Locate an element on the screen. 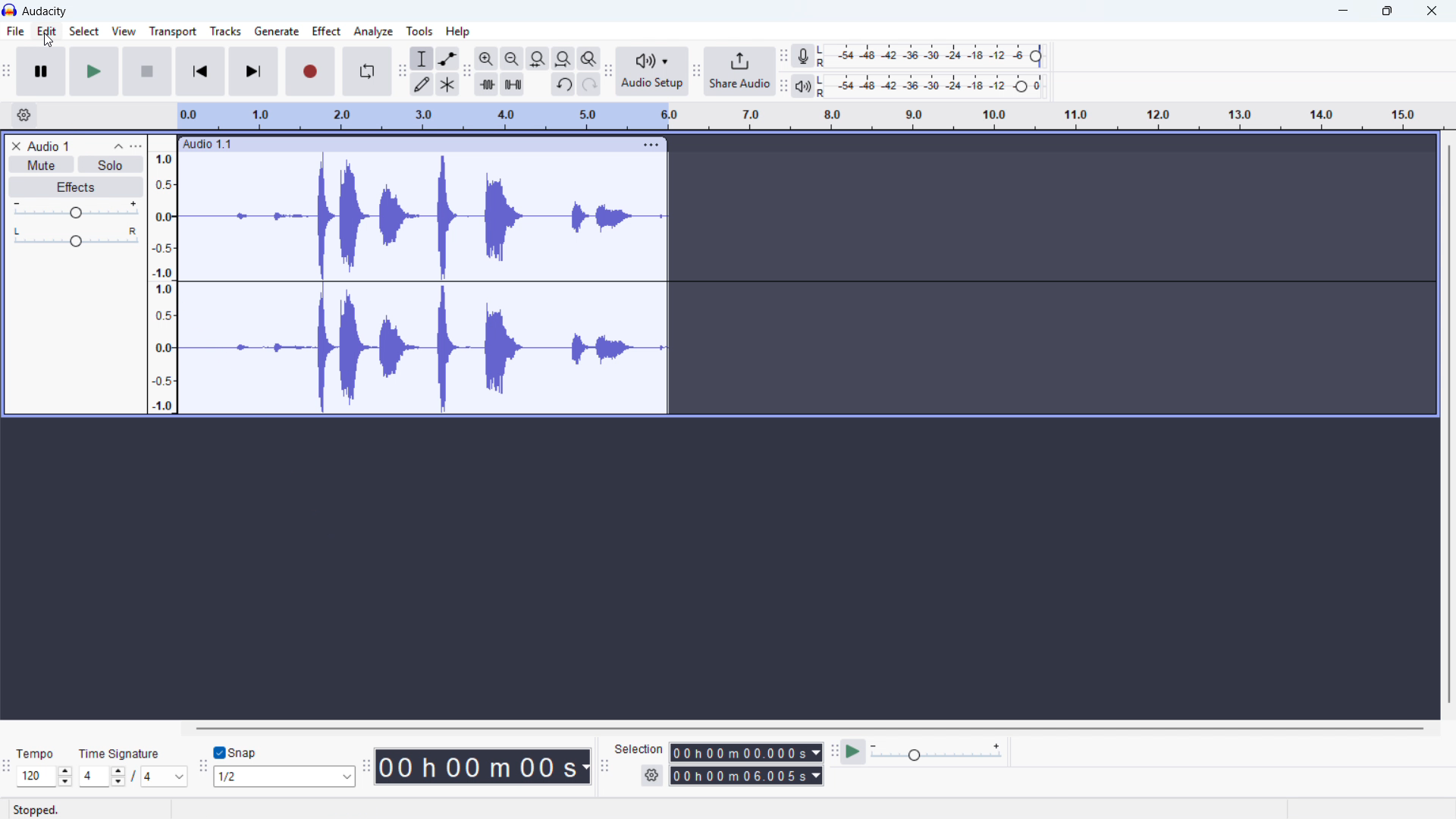 The width and height of the screenshot is (1456, 819). stop is located at coordinates (148, 71).